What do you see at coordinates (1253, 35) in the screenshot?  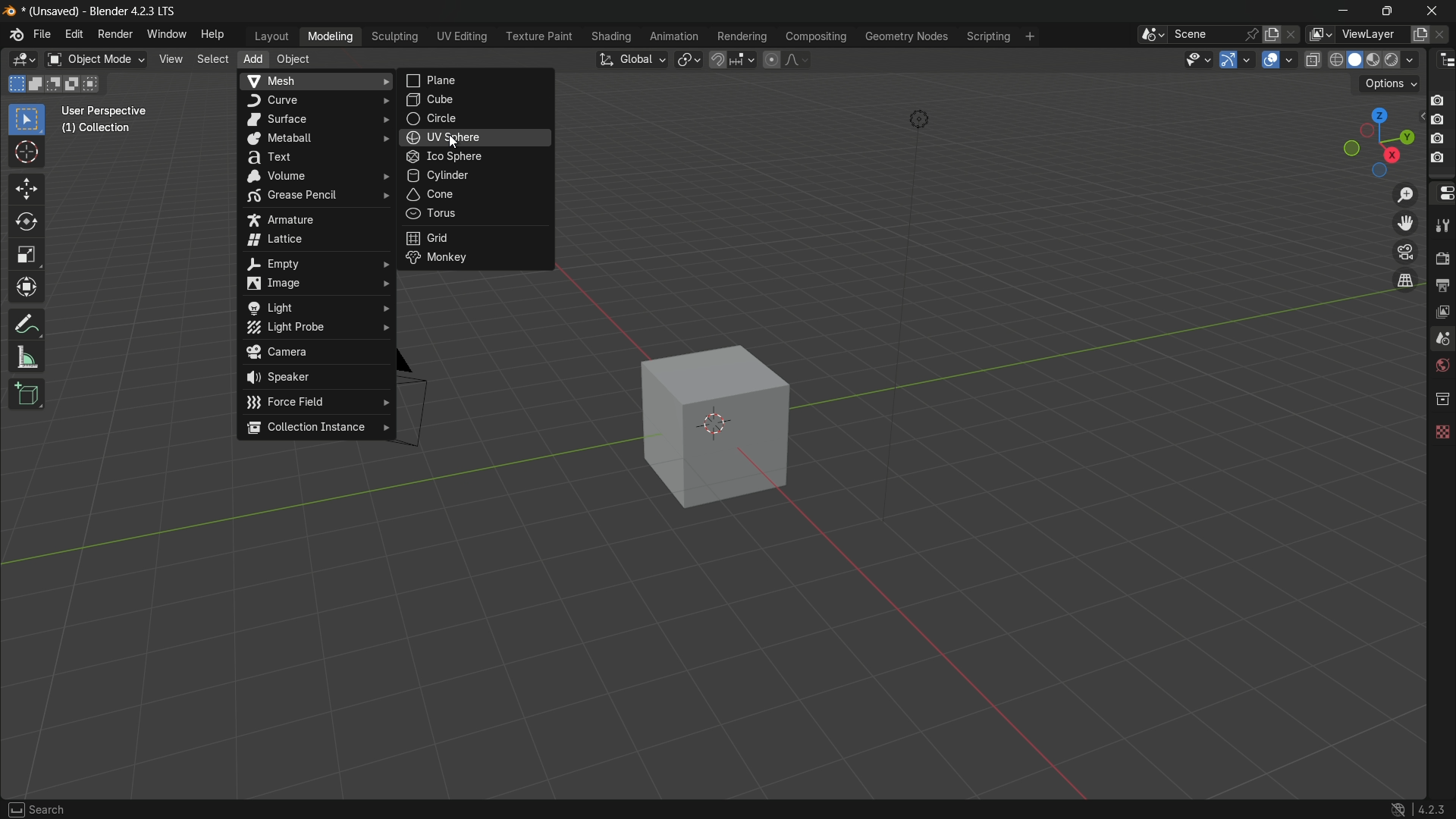 I see `pin scene to workplace` at bounding box center [1253, 35].